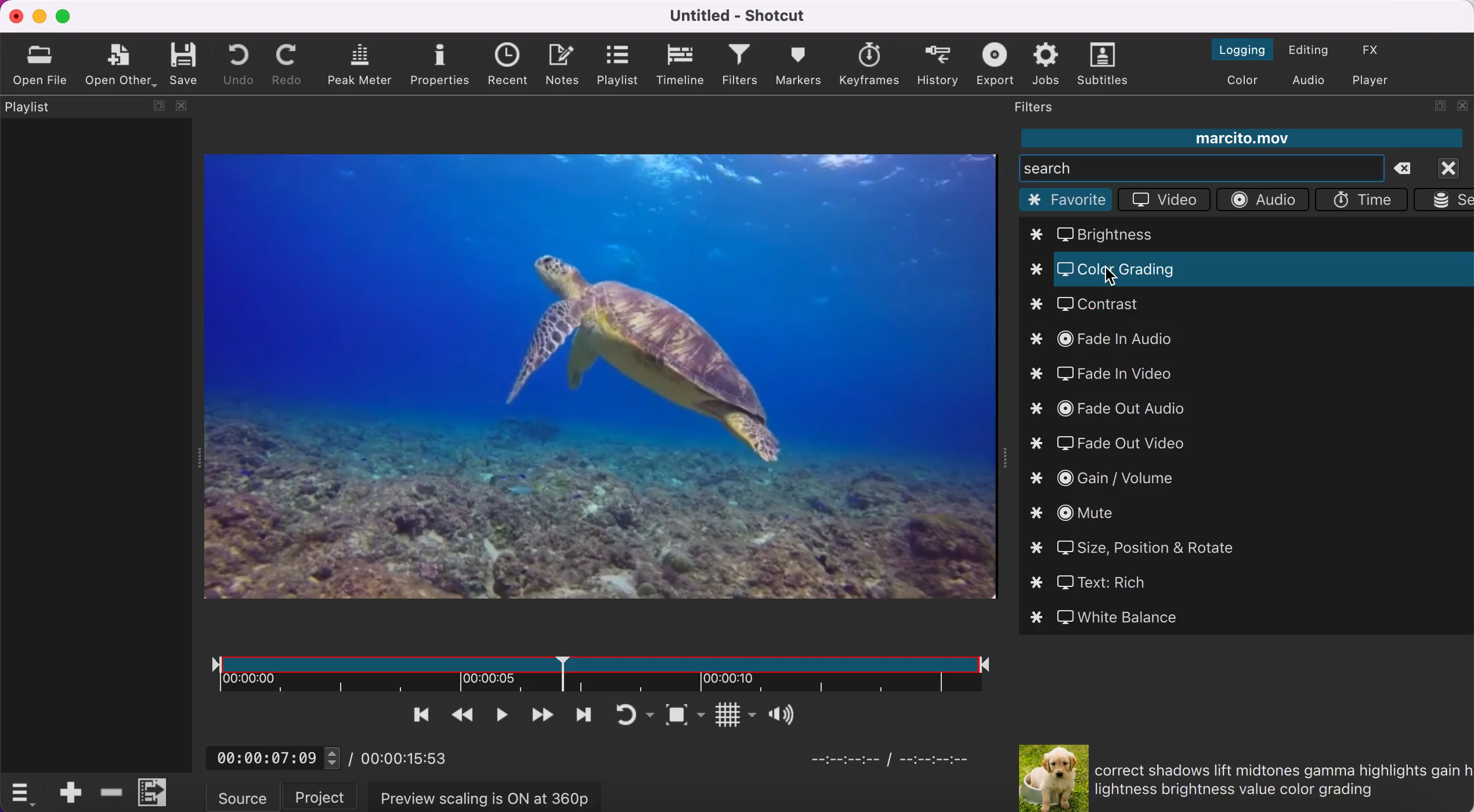 This screenshot has height=812, width=1474. I want to click on correct shadows lift midtones gamma highlights gain t
lightness brightness value color grading, so click(1280, 780).